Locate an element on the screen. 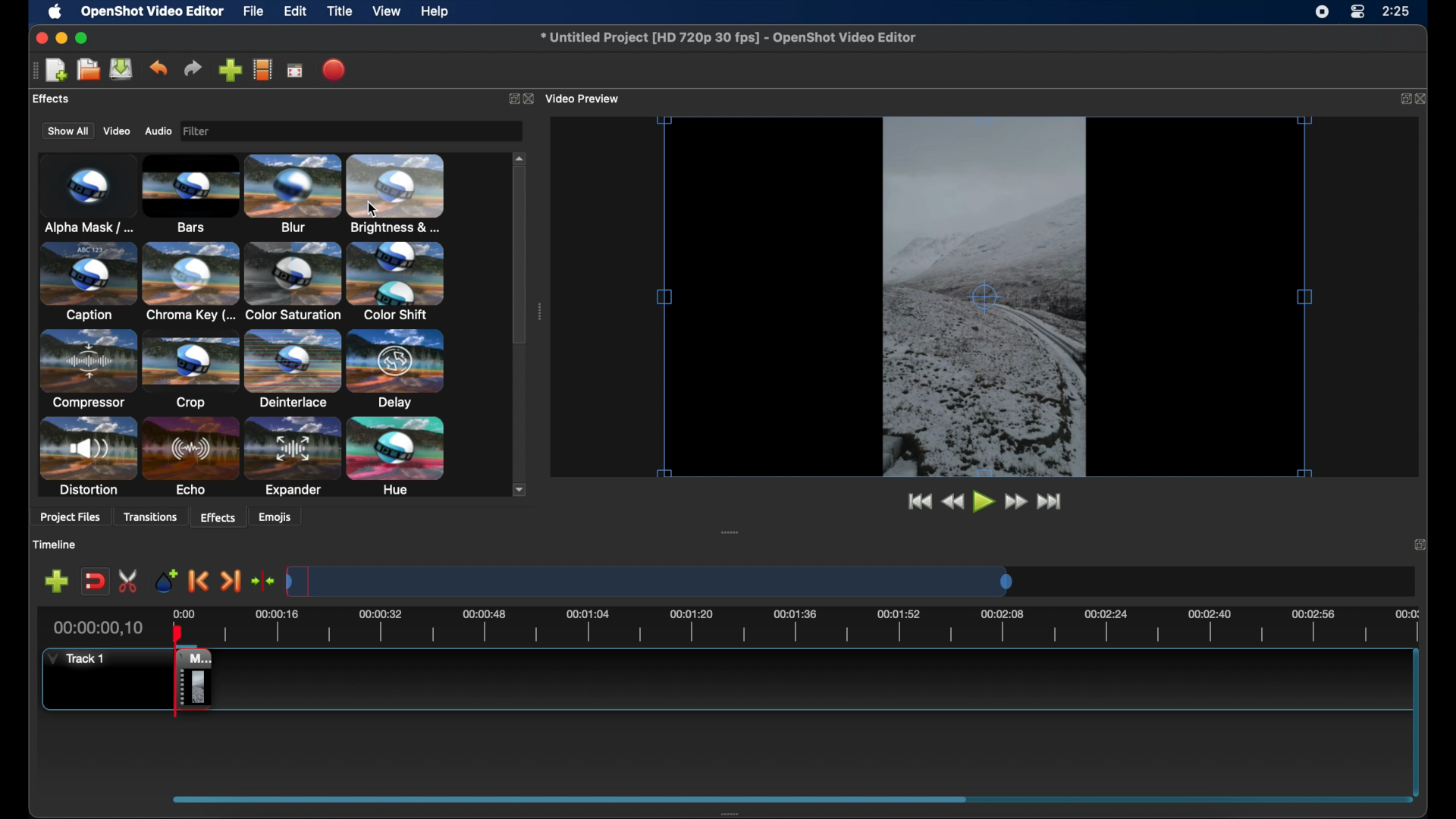  maximize is located at coordinates (83, 38).